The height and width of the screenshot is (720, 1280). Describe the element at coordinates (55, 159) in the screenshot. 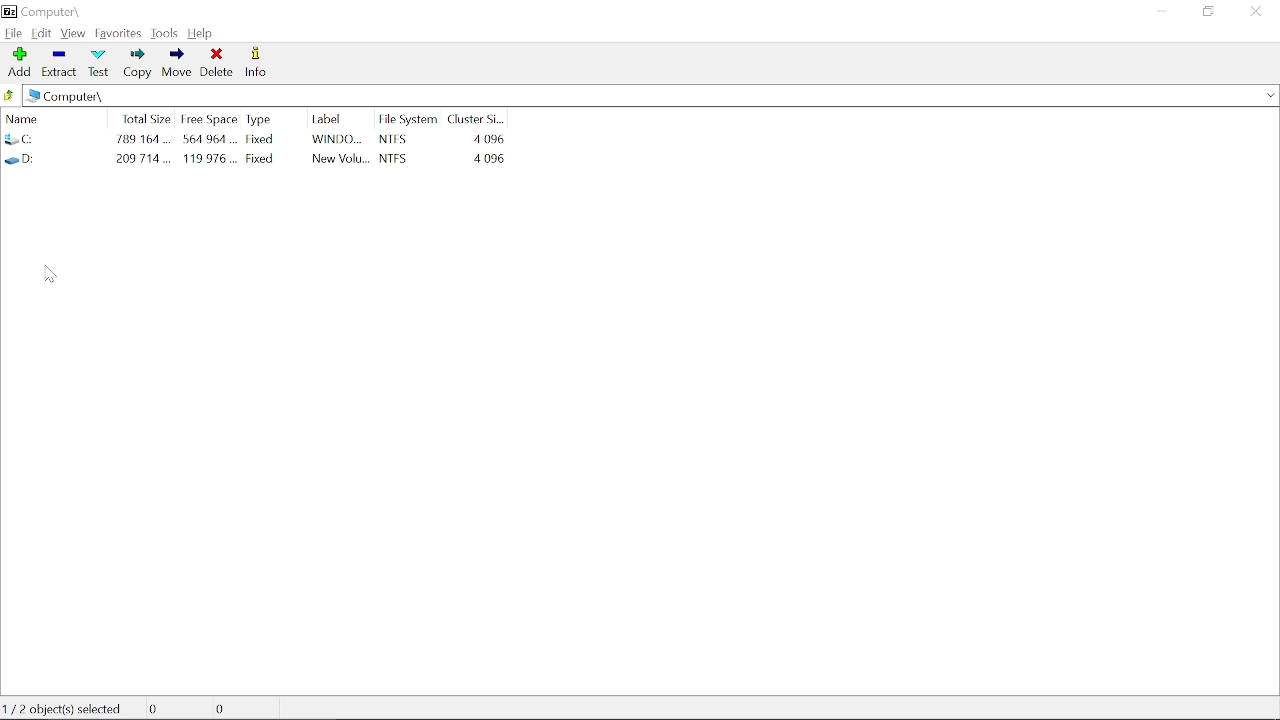

I see `D :` at that location.